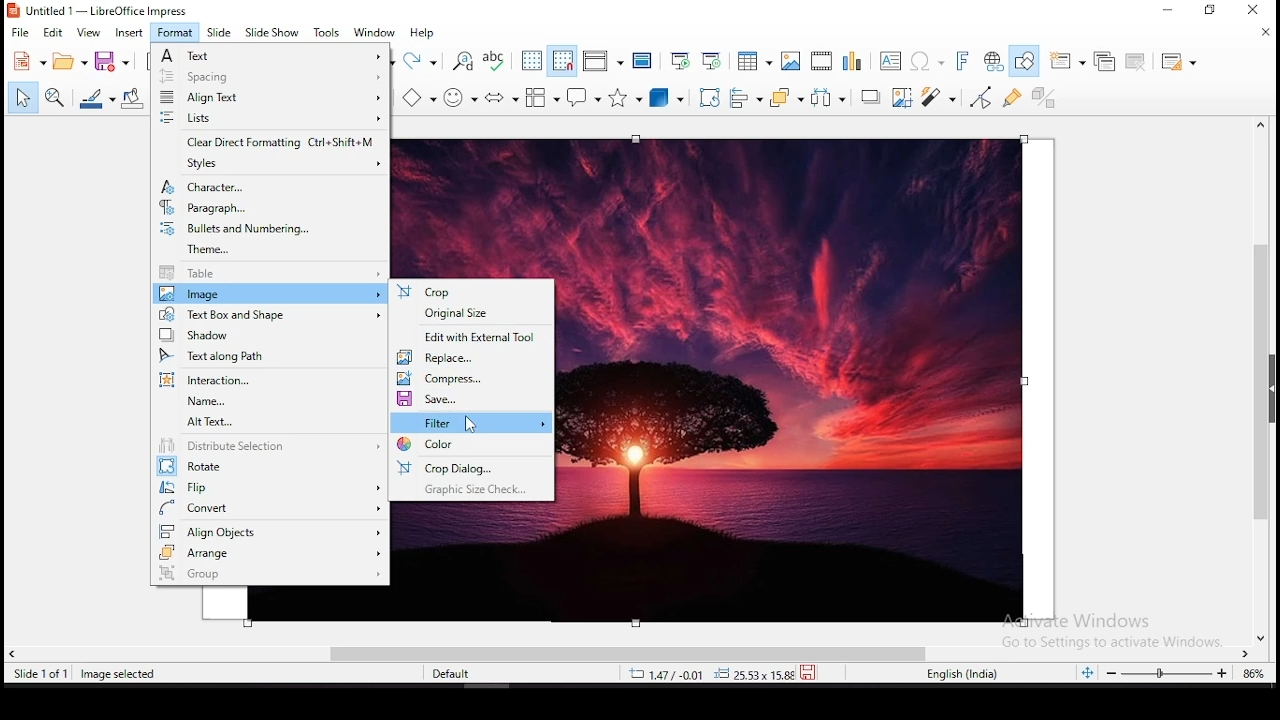 This screenshot has height=720, width=1280. What do you see at coordinates (1010, 98) in the screenshot?
I see `show gluepoints functions` at bounding box center [1010, 98].